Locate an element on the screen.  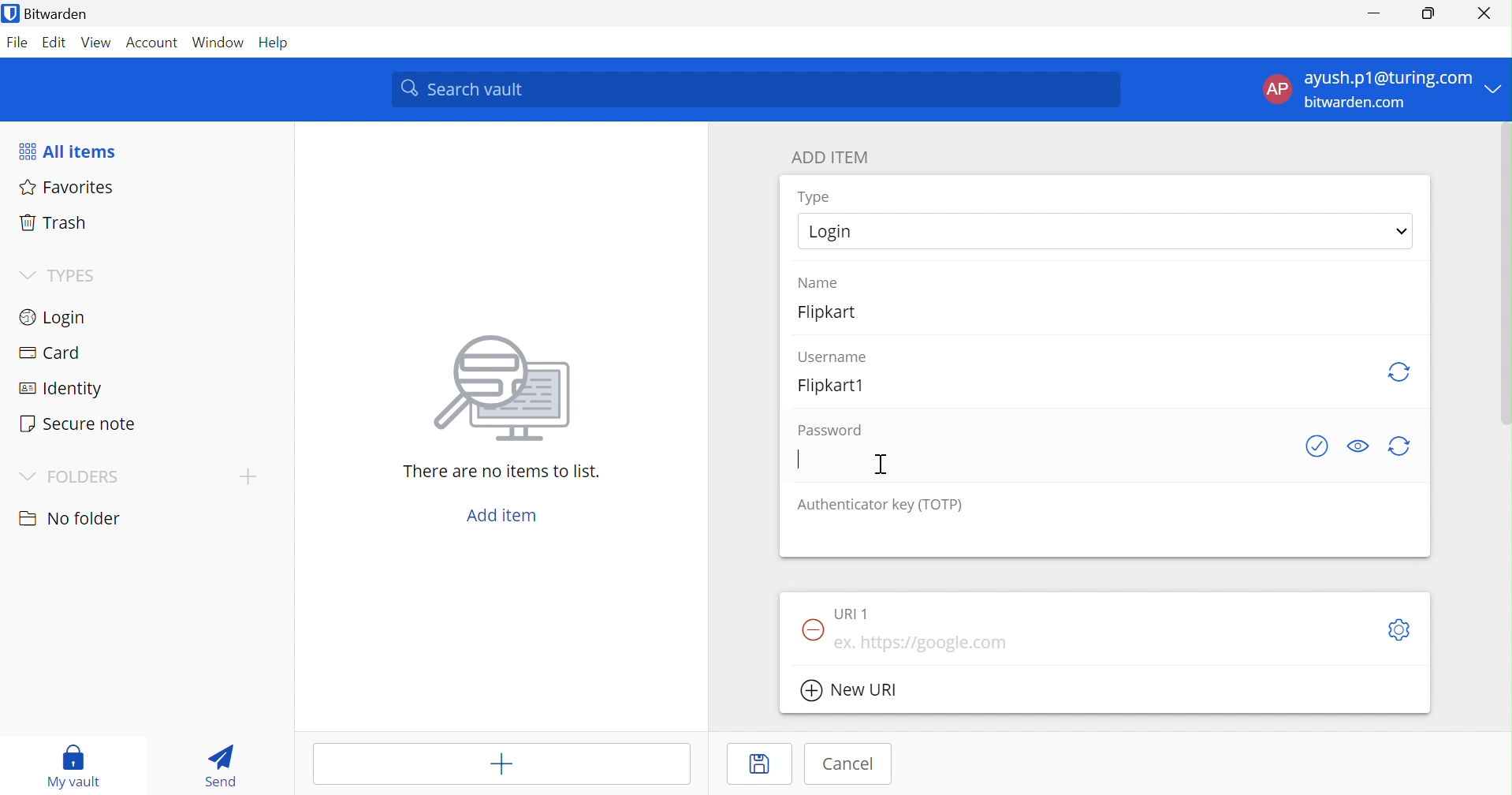
Typing Cursor is located at coordinates (800, 458).